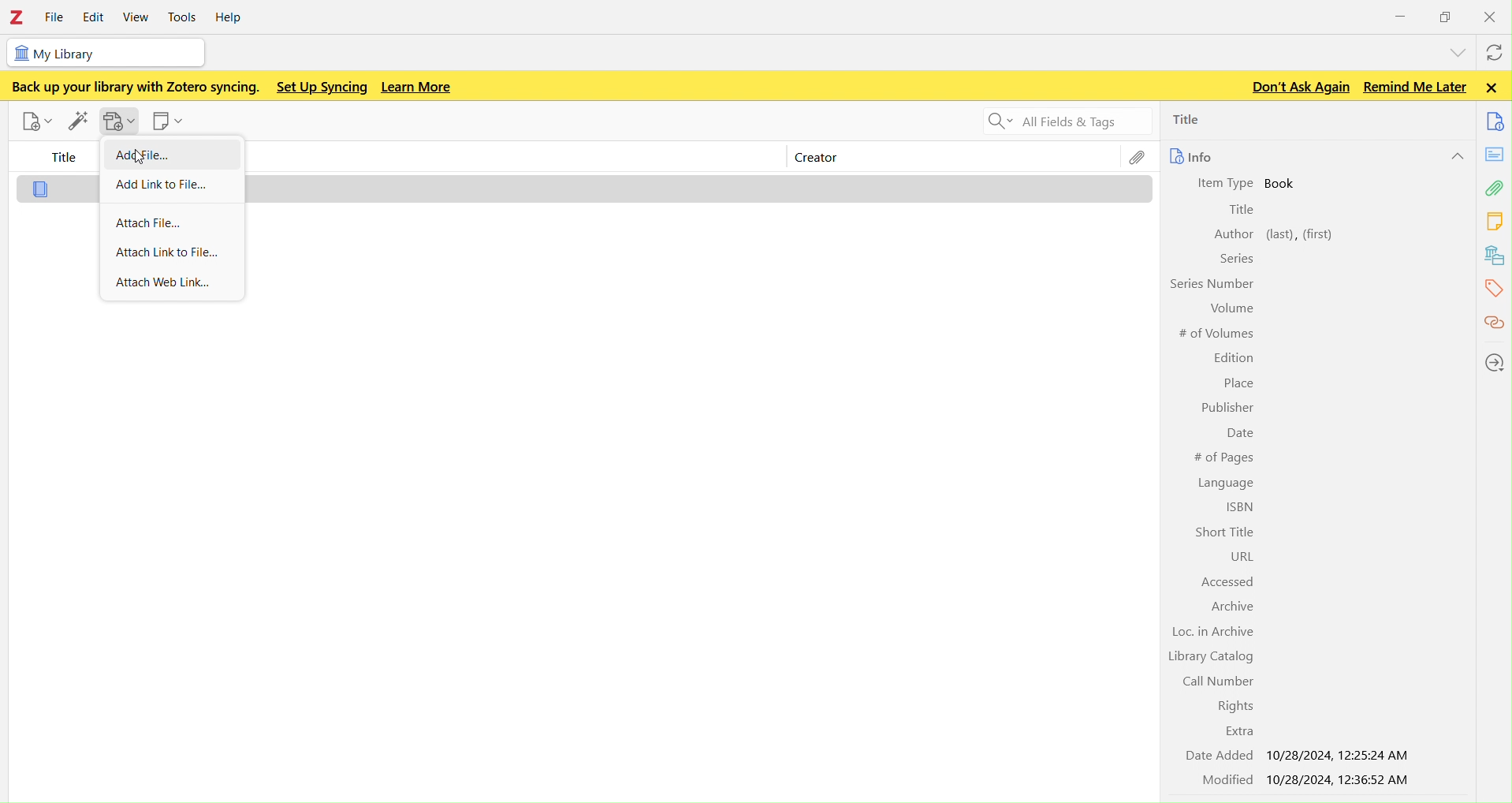 This screenshot has height=803, width=1512. I want to click on notes, so click(1495, 153).